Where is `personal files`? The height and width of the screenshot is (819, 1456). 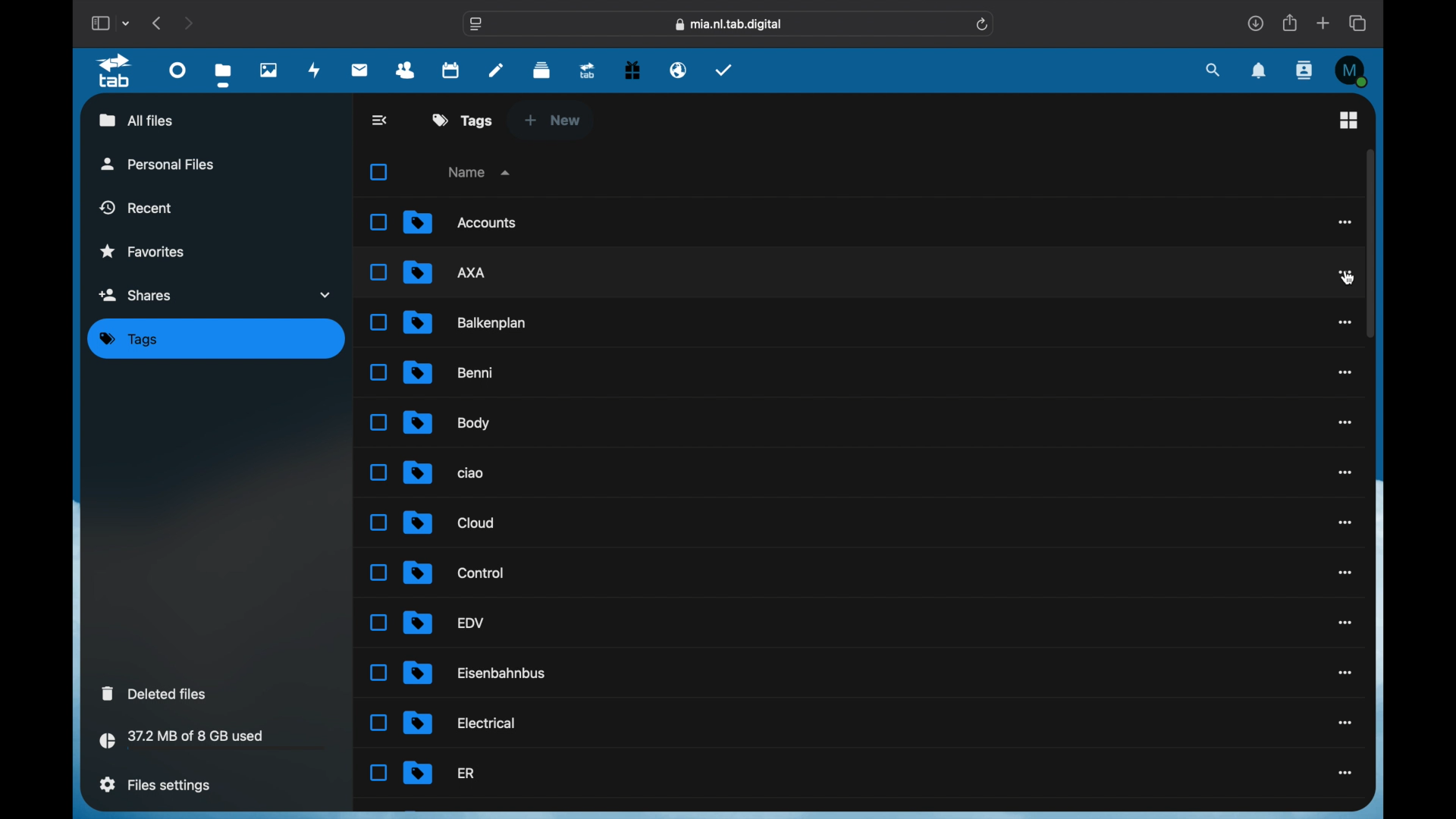
personal files is located at coordinates (158, 163).